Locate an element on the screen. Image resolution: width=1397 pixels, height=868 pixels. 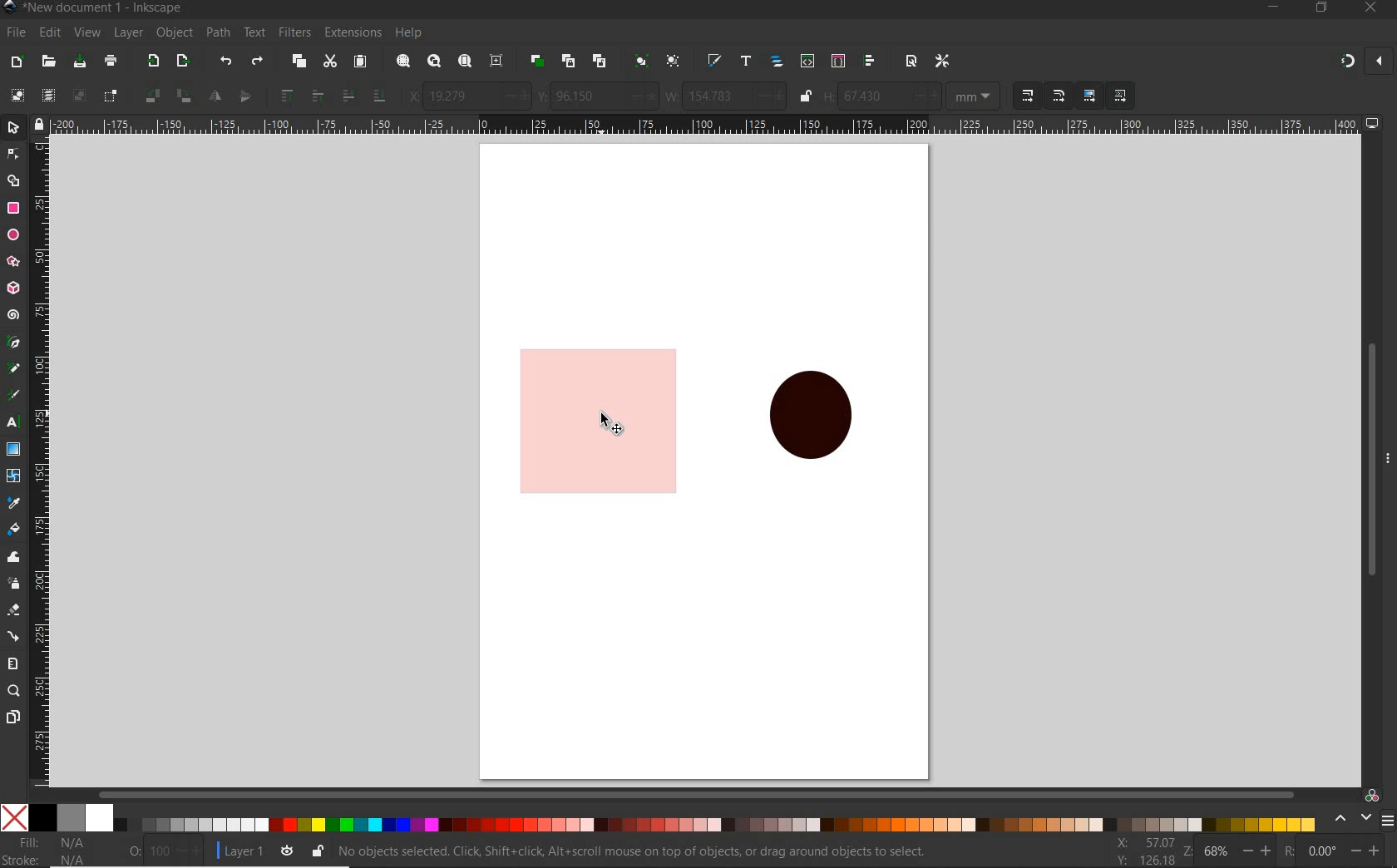
scrollbar is located at coordinates (1371, 446).